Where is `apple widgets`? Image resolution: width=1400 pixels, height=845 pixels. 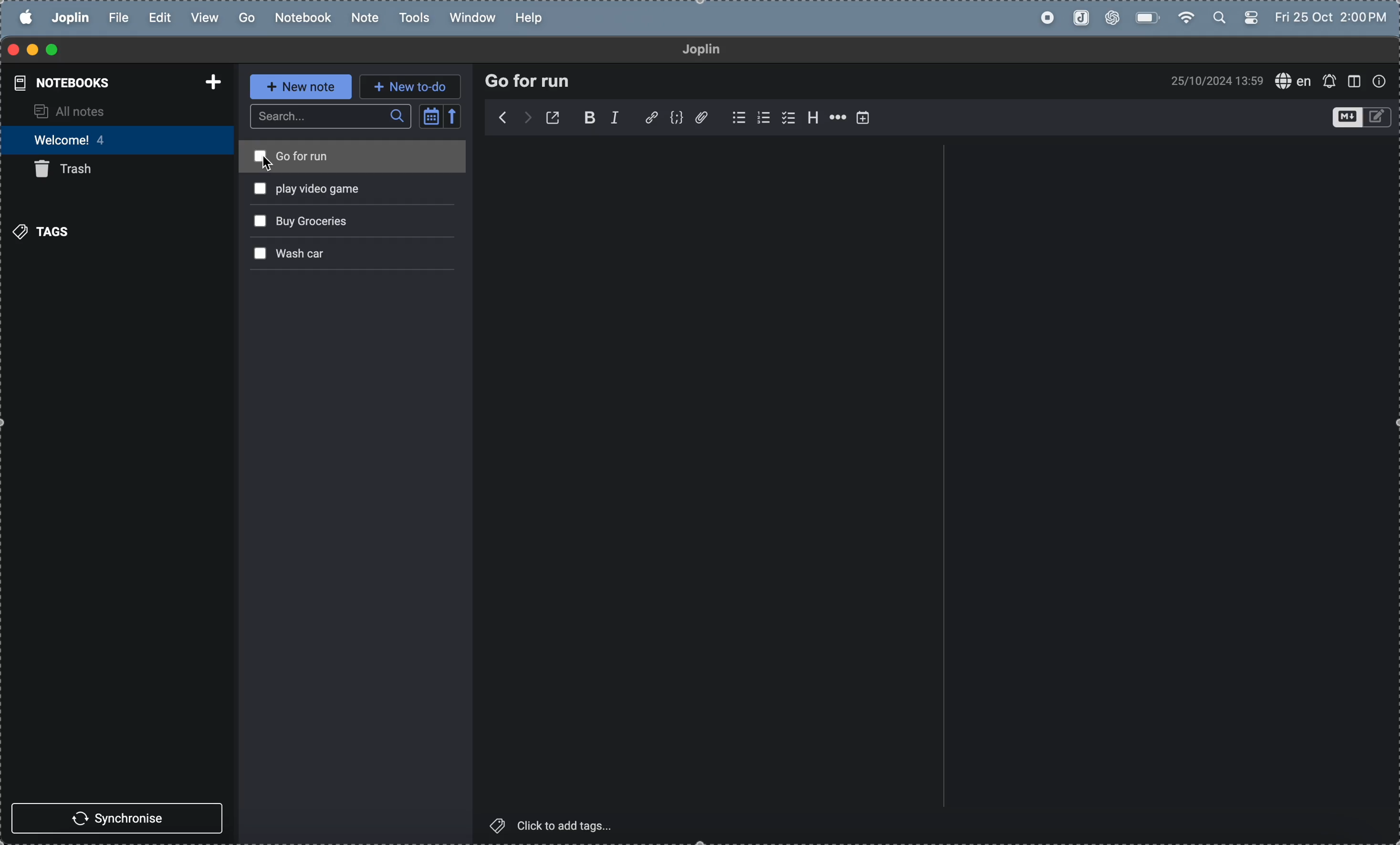 apple widgets is located at coordinates (1239, 16).